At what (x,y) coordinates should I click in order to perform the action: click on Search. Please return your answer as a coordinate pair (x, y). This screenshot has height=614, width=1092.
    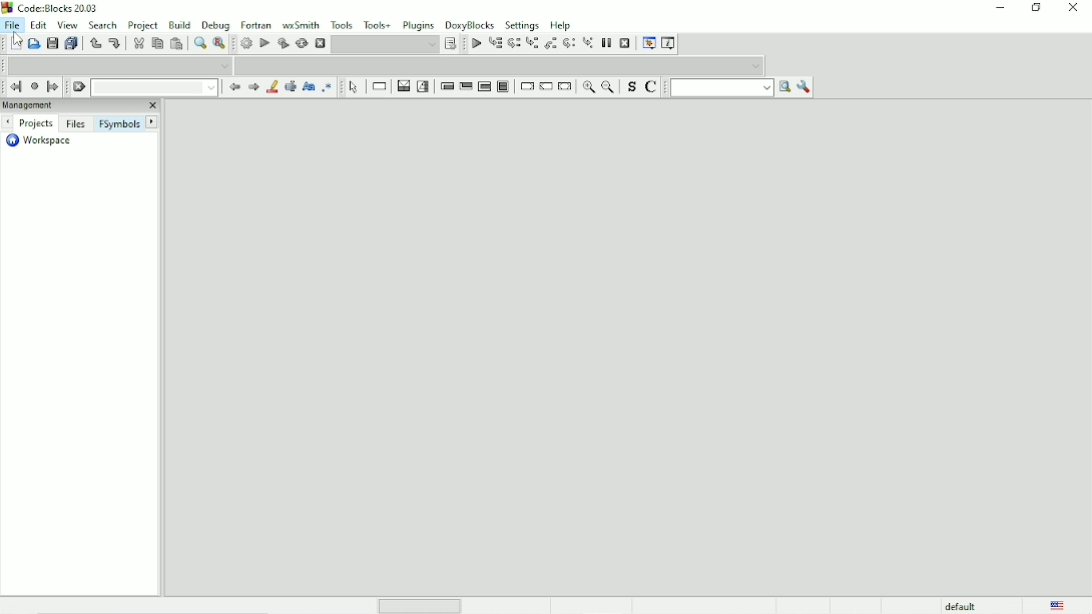
    Looking at the image, I should click on (103, 25).